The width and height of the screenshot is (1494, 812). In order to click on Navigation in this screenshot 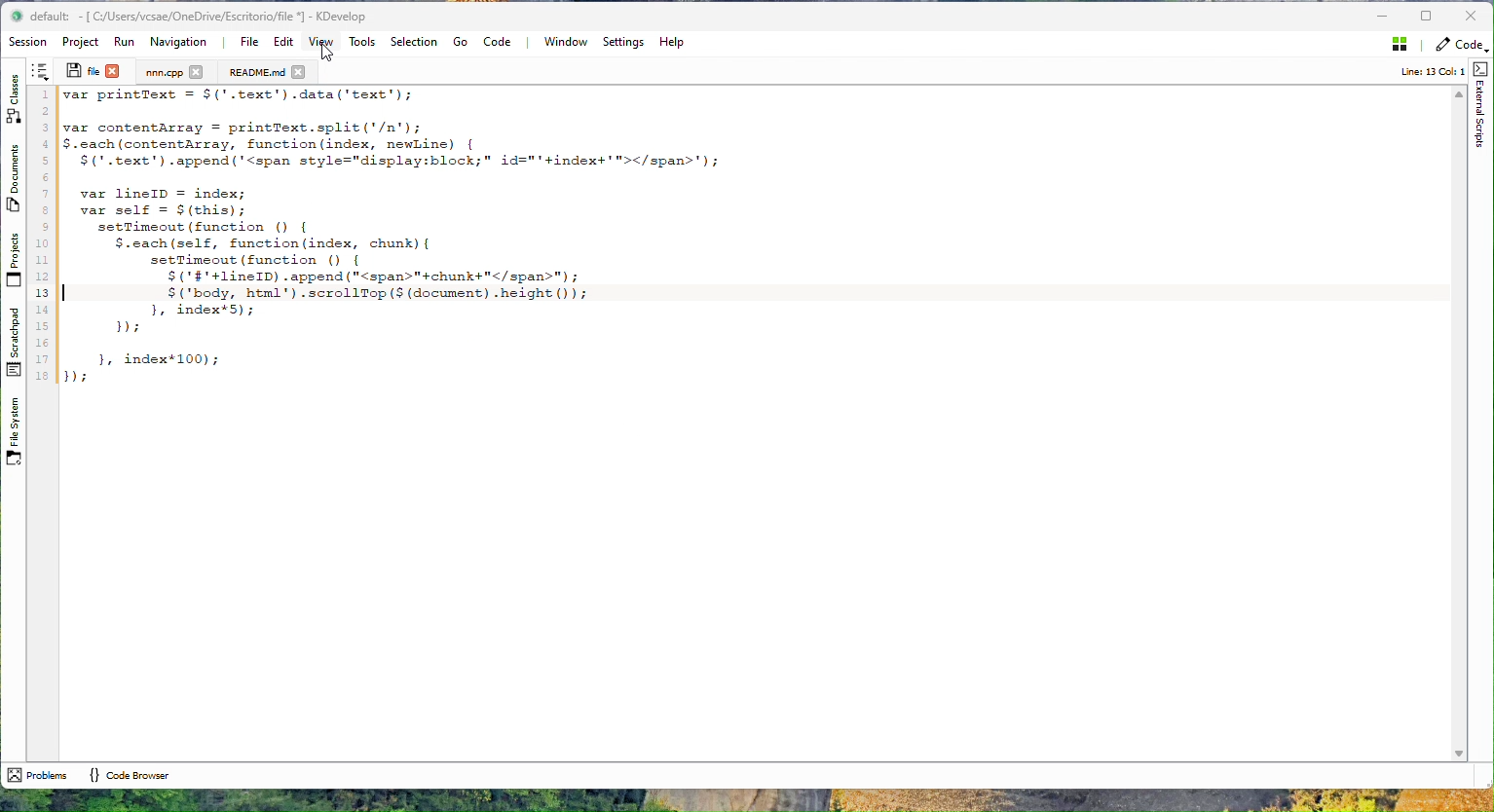, I will do `click(180, 42)`.